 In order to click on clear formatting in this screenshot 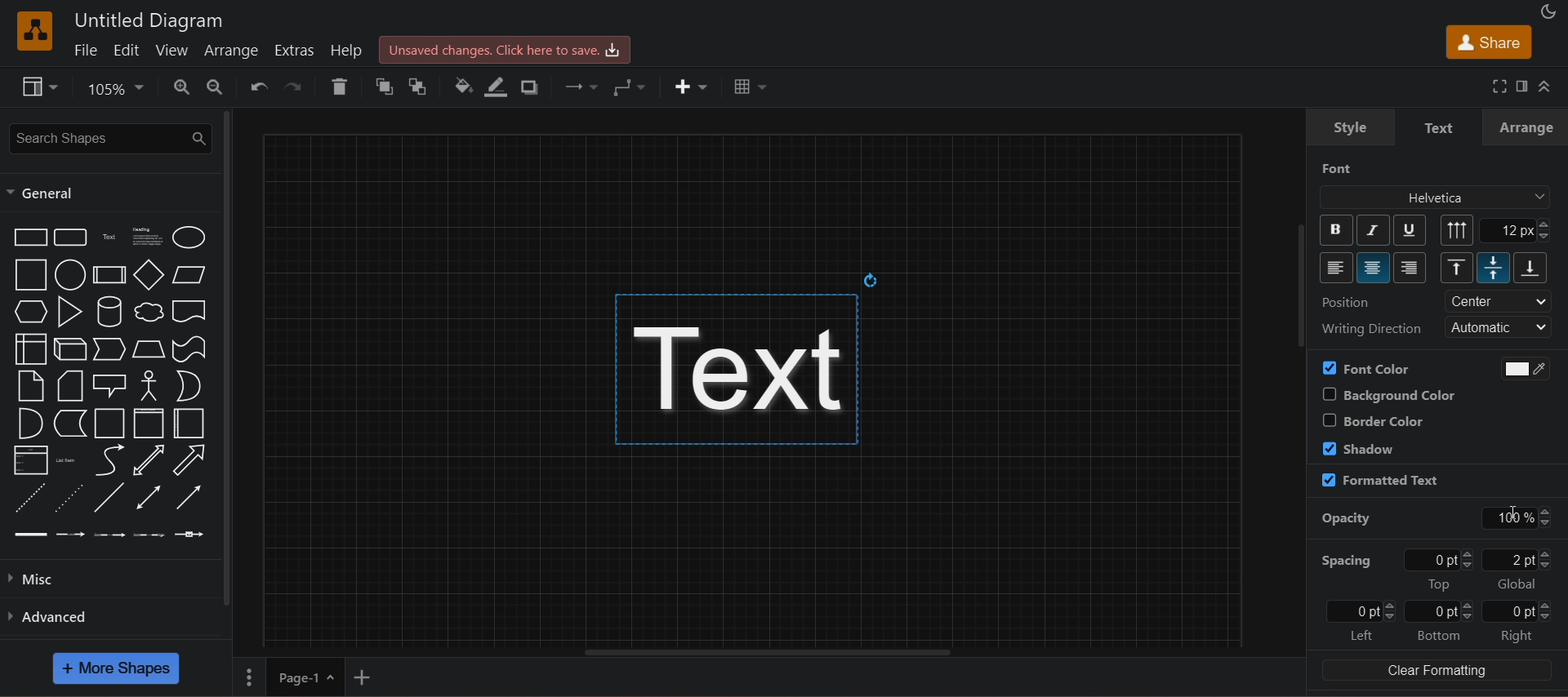, I will do `click(1437, 670)`.